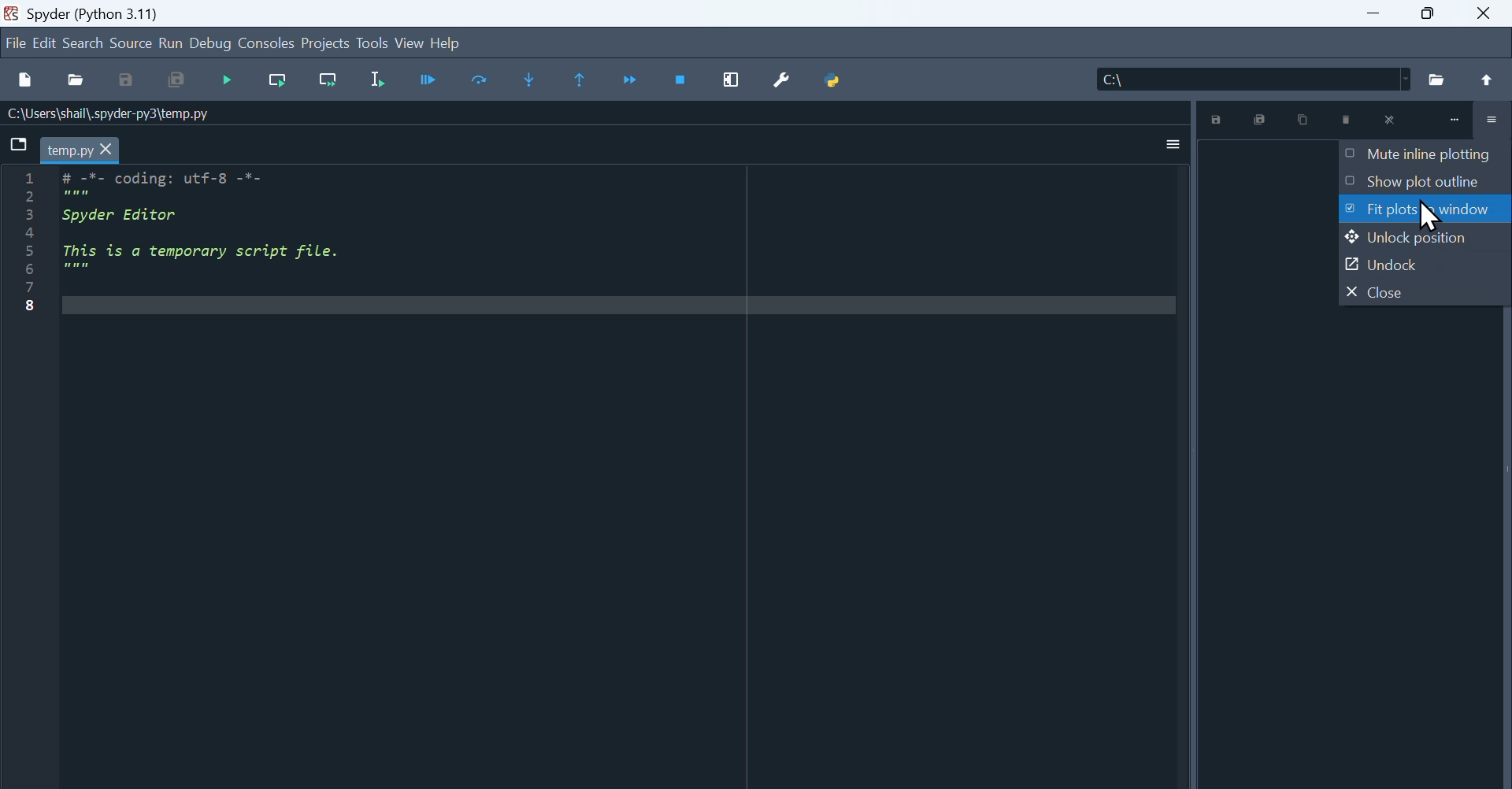 This screenshot has height=789, width=1512. Describe the element at coordinates (1435, 80) in the screenshot. I see `Folder` at that location.